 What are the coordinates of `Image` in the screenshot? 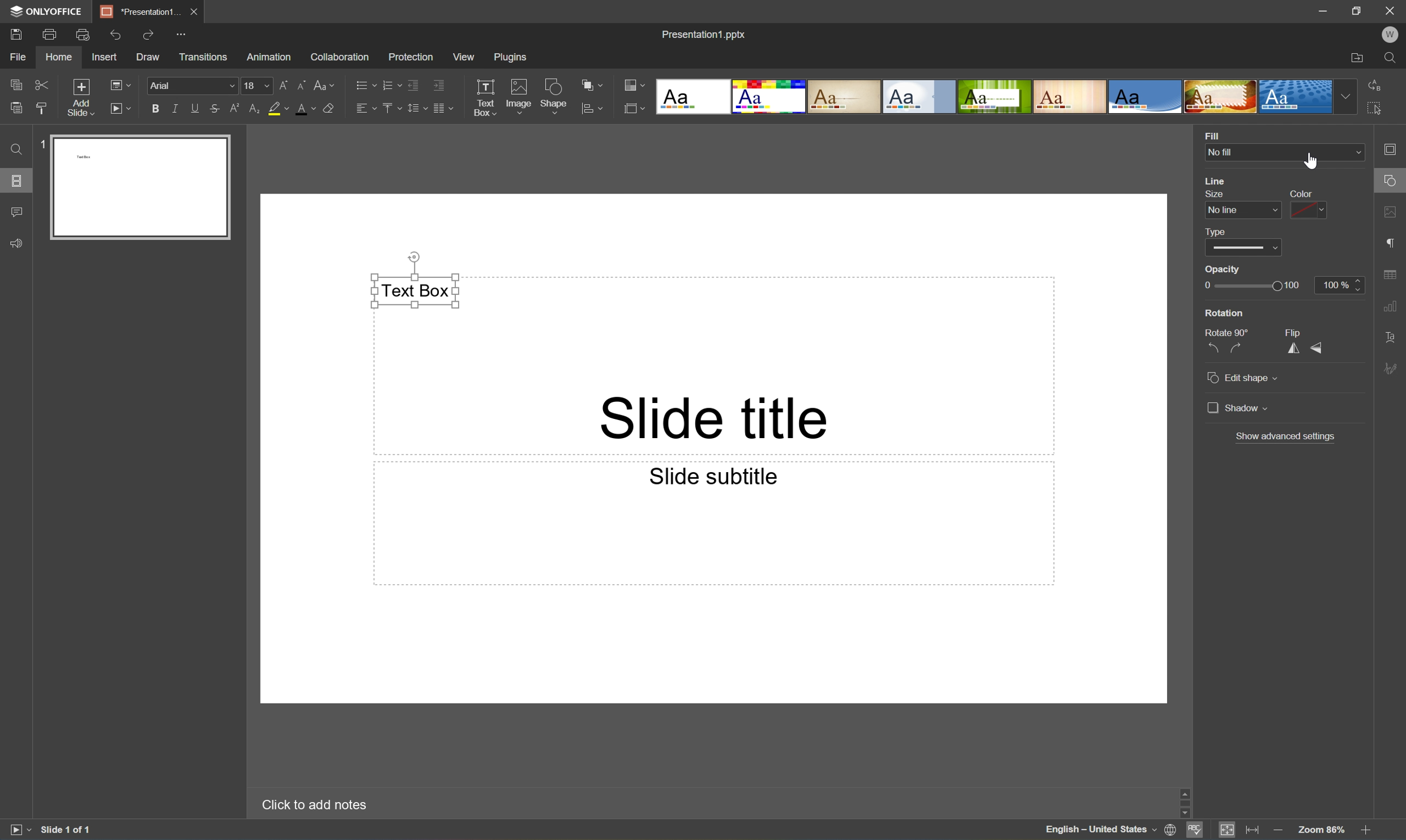 It's located at (519, 96).